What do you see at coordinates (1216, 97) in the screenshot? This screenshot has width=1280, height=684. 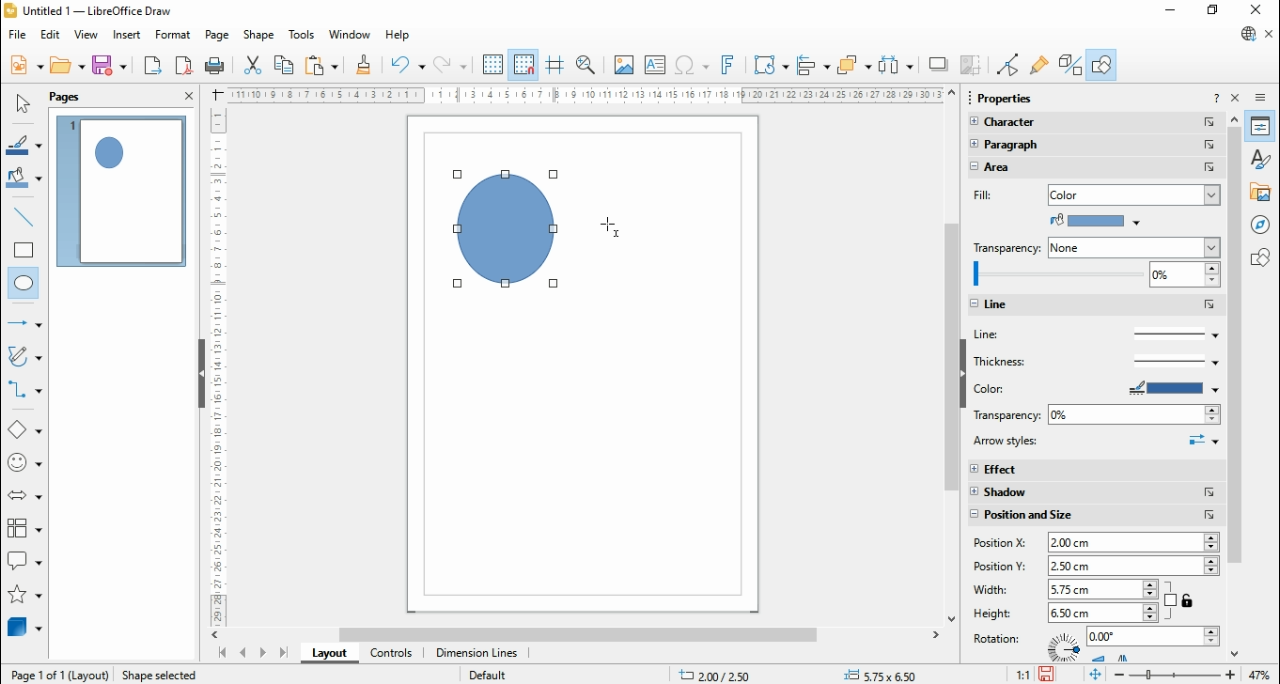 I see `help about this sidebar deck` at bounding box center [1216, 97].